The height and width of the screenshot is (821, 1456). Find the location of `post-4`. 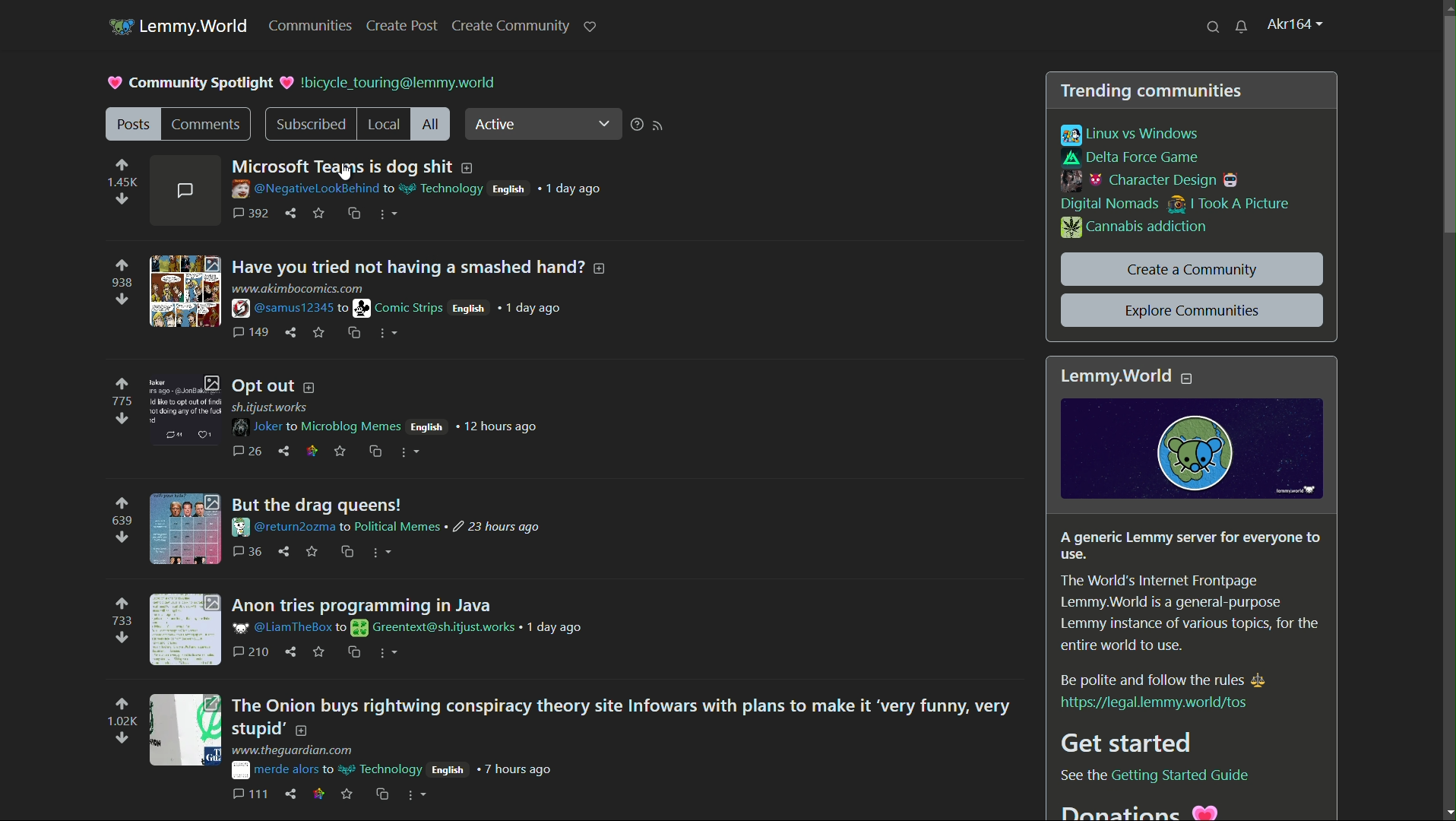

post-4 is located at coordinates (362, 602).